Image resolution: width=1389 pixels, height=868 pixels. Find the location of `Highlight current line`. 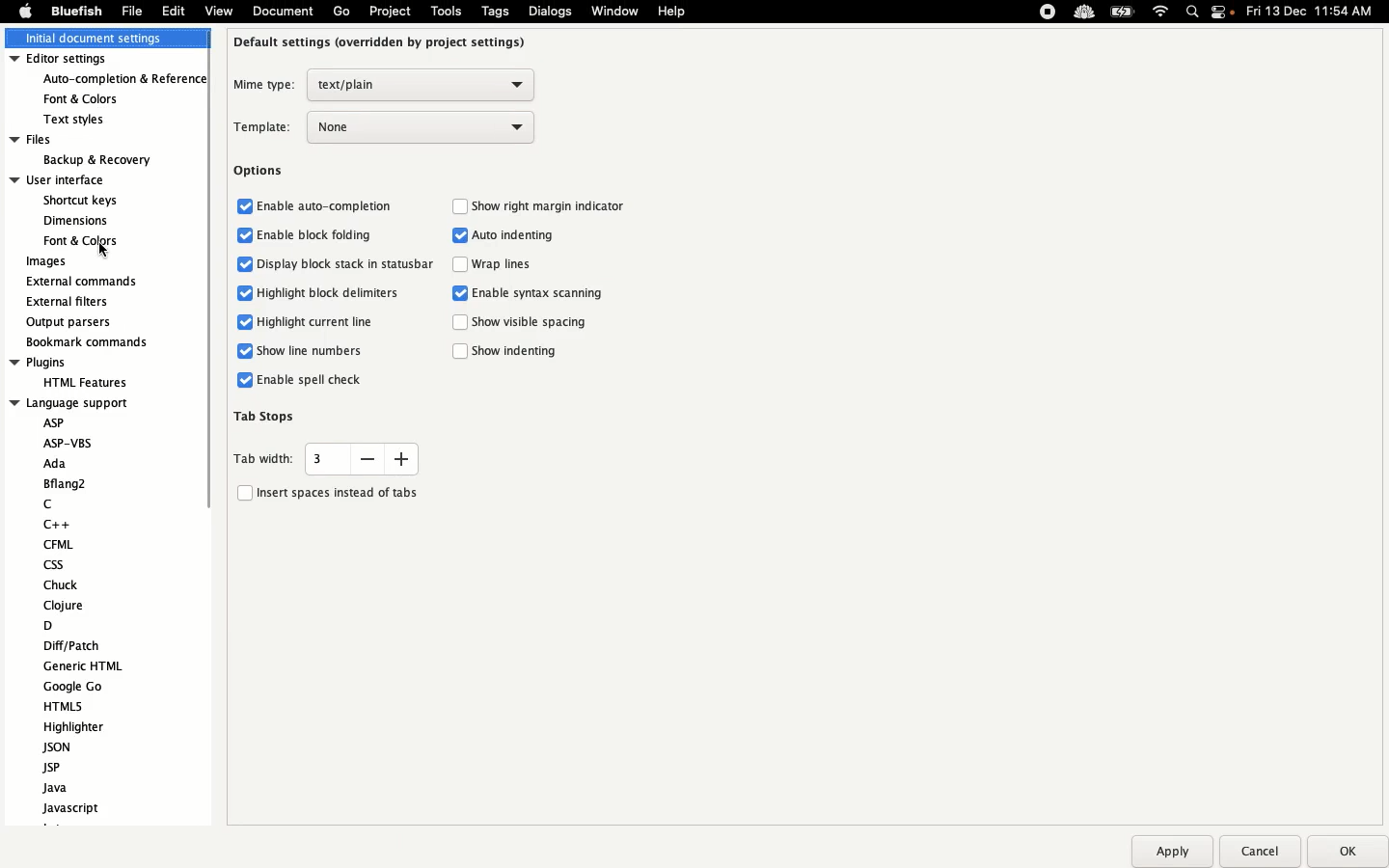

Highlight current line is located at coordinates (300, 323).